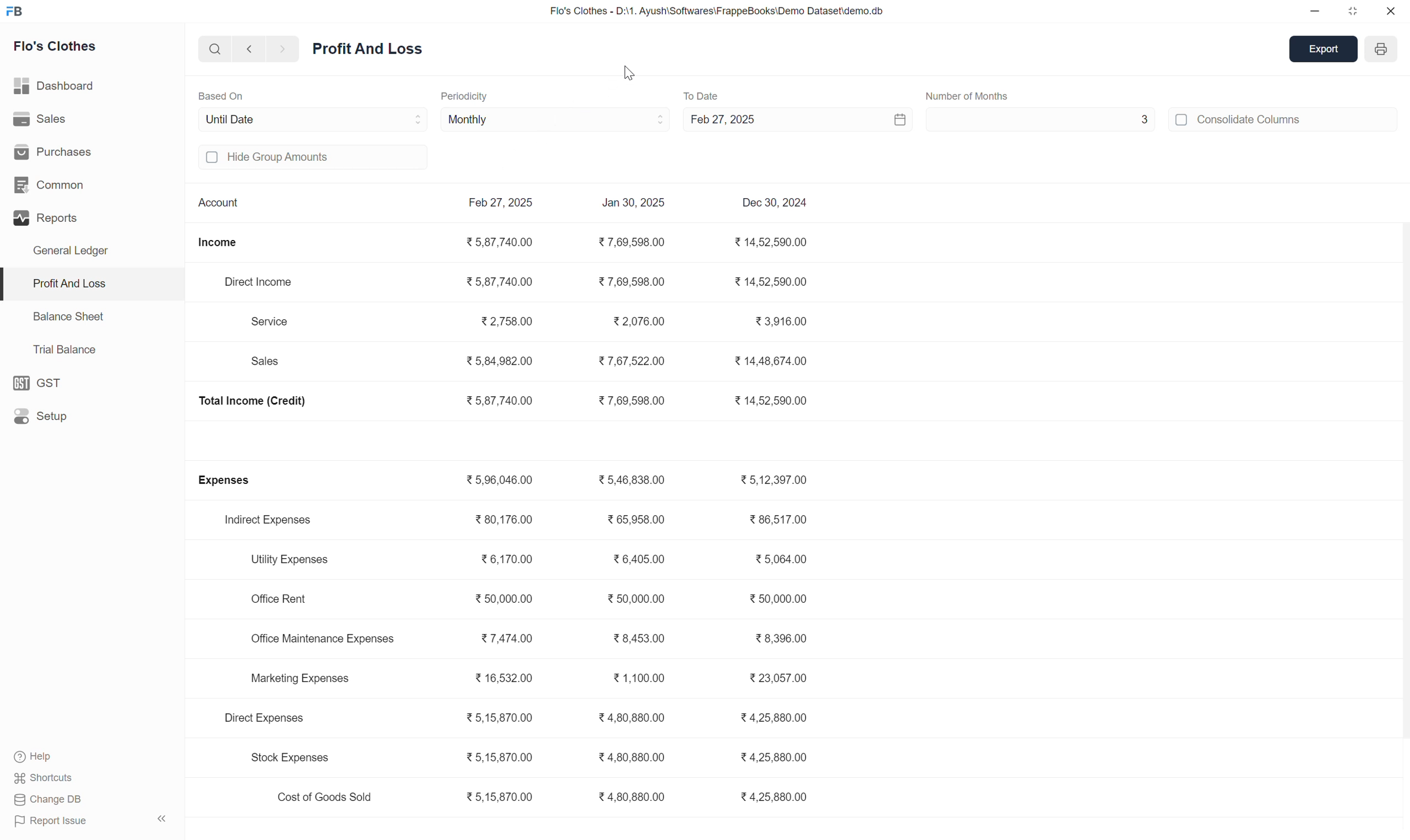 The height and width of the screenshot is (840, 1410). I want to click on Service, so click(272, 323).